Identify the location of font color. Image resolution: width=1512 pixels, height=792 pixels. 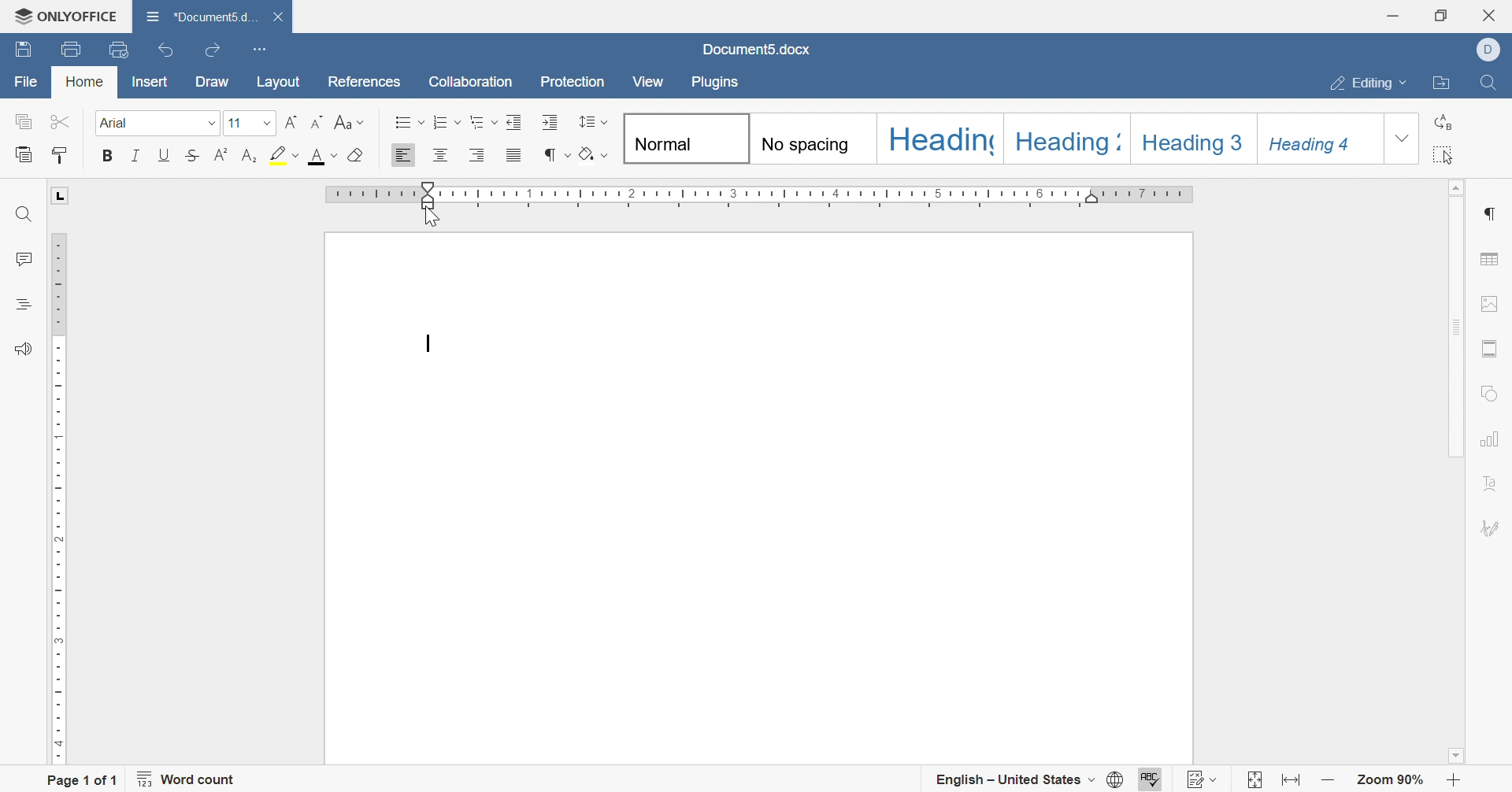
(322, 154).